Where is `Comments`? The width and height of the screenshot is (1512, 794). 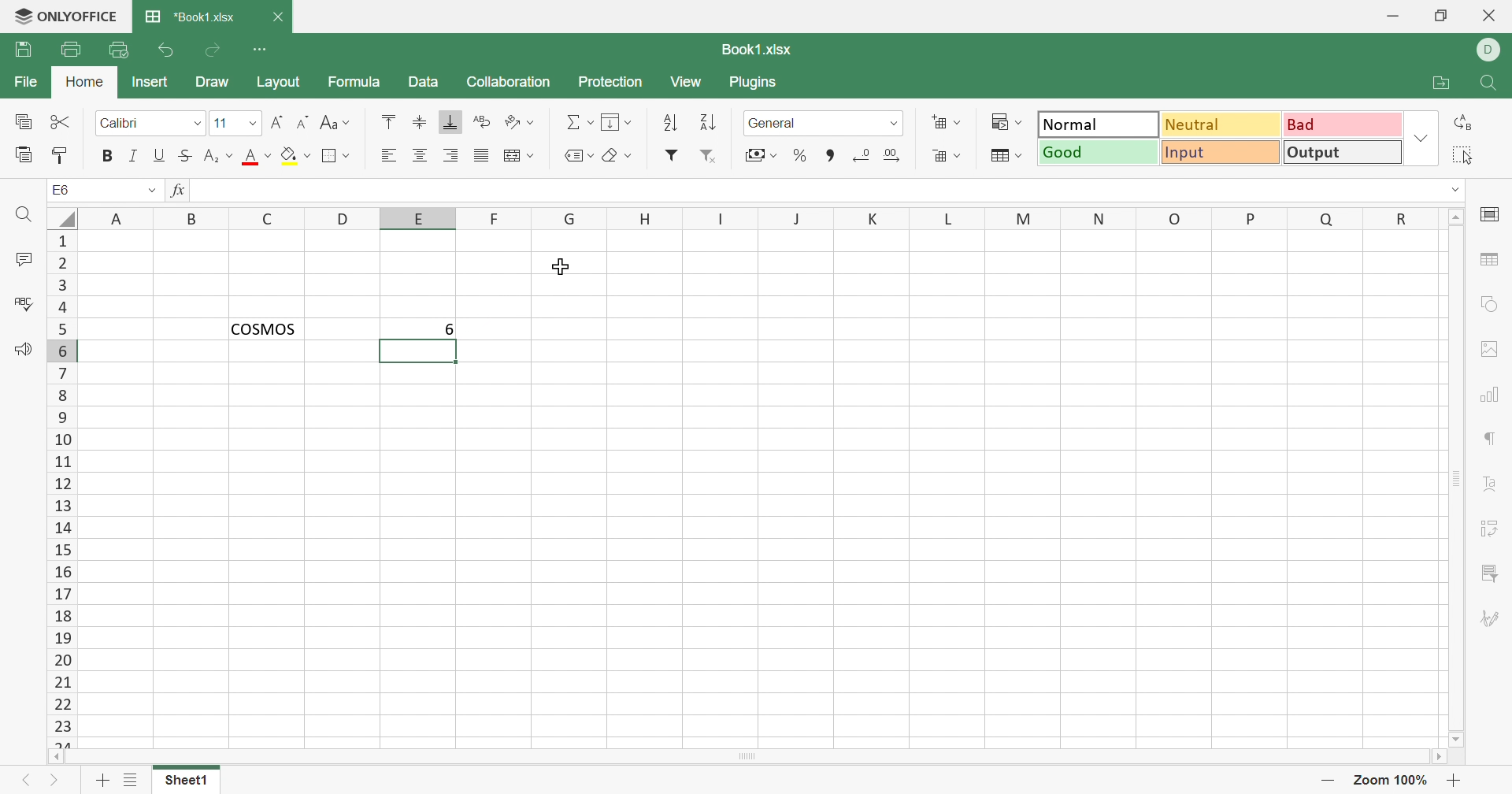 Comments is located at coordinates (22, 258).